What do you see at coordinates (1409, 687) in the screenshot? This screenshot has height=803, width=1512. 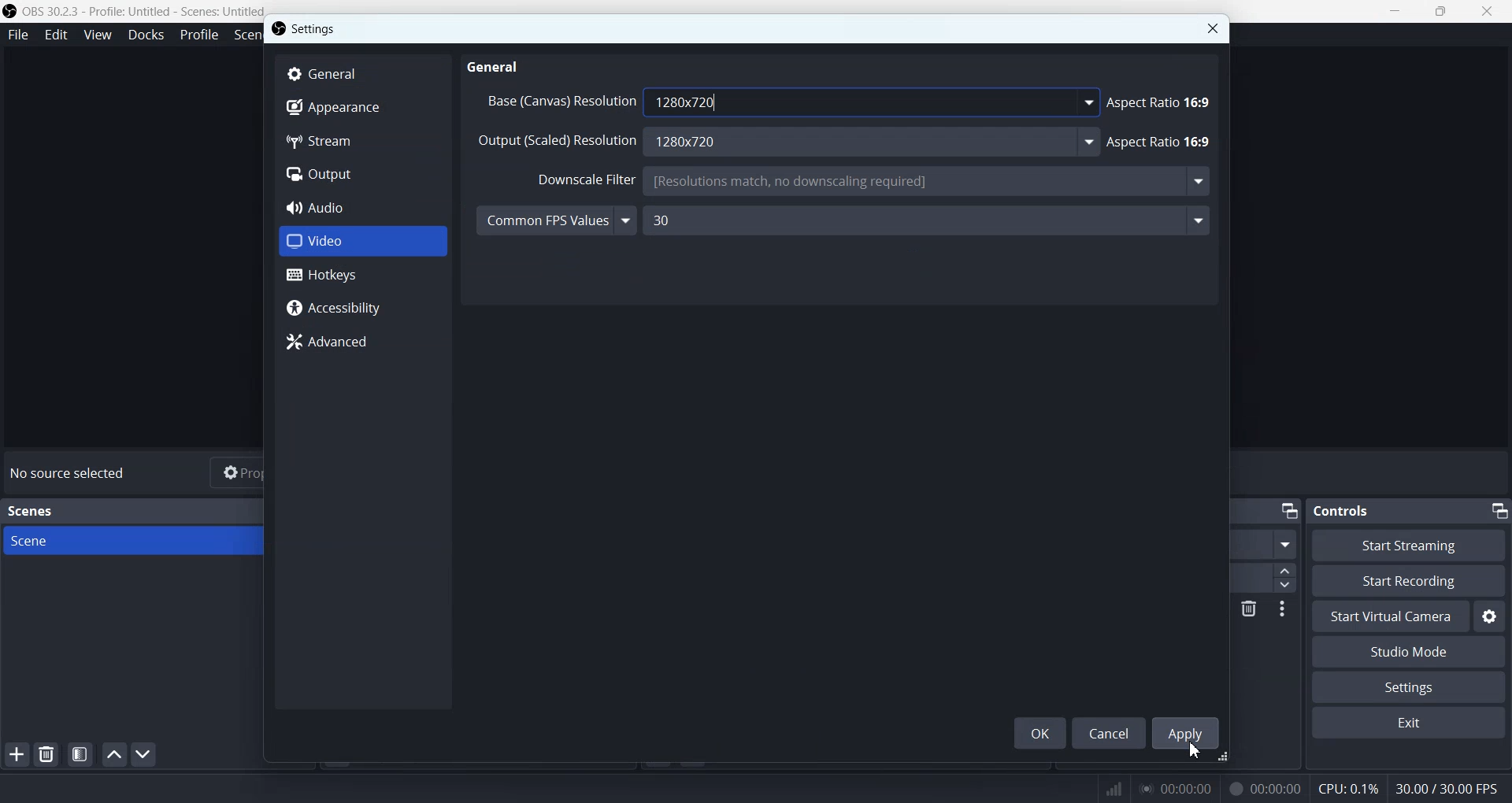 I see `Settings` at bounding box center [1409, 687].